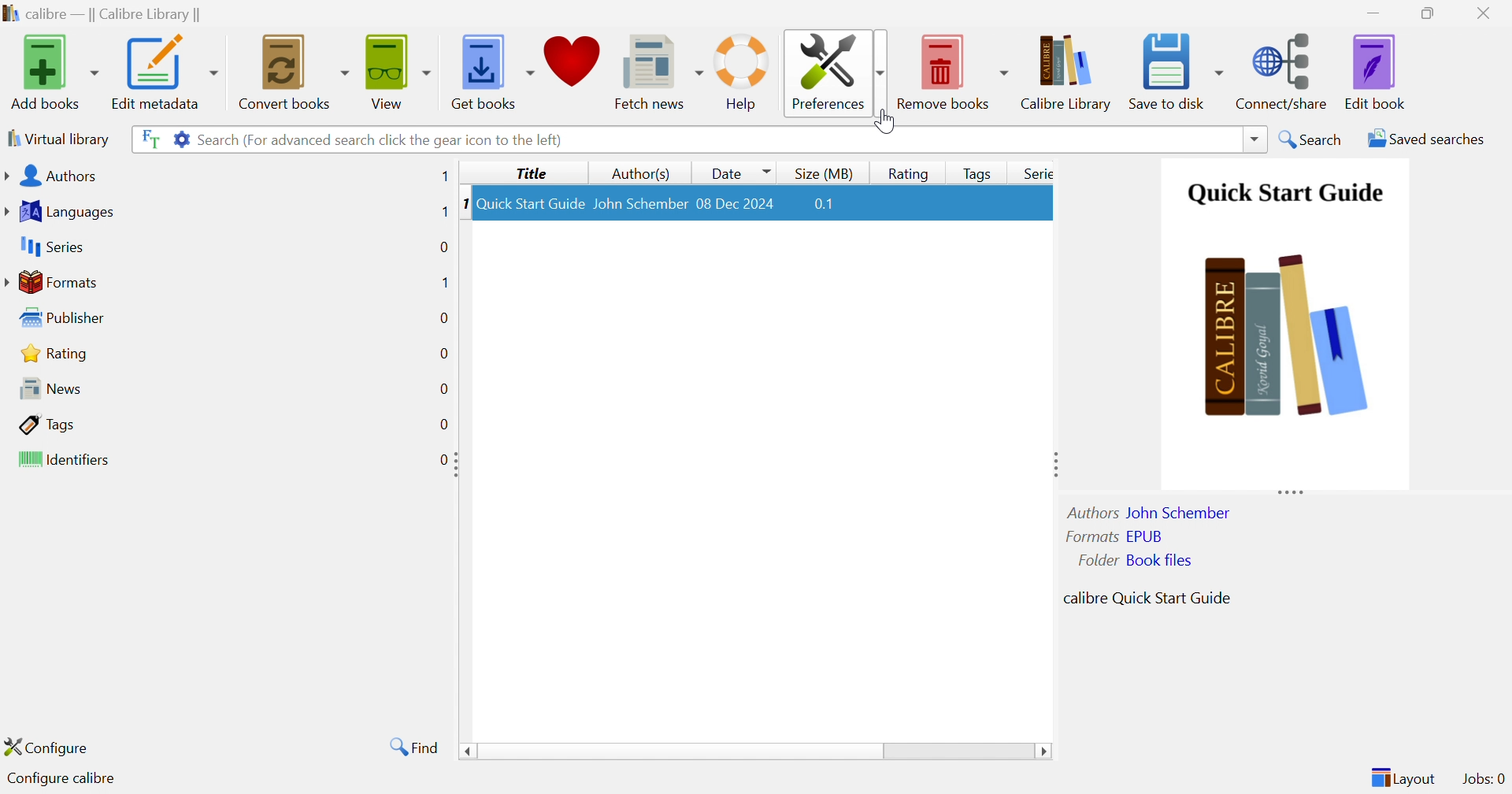 This screenshot has width=1512, height=794. I want to click on Jobs: 0, so click(1484, 780).